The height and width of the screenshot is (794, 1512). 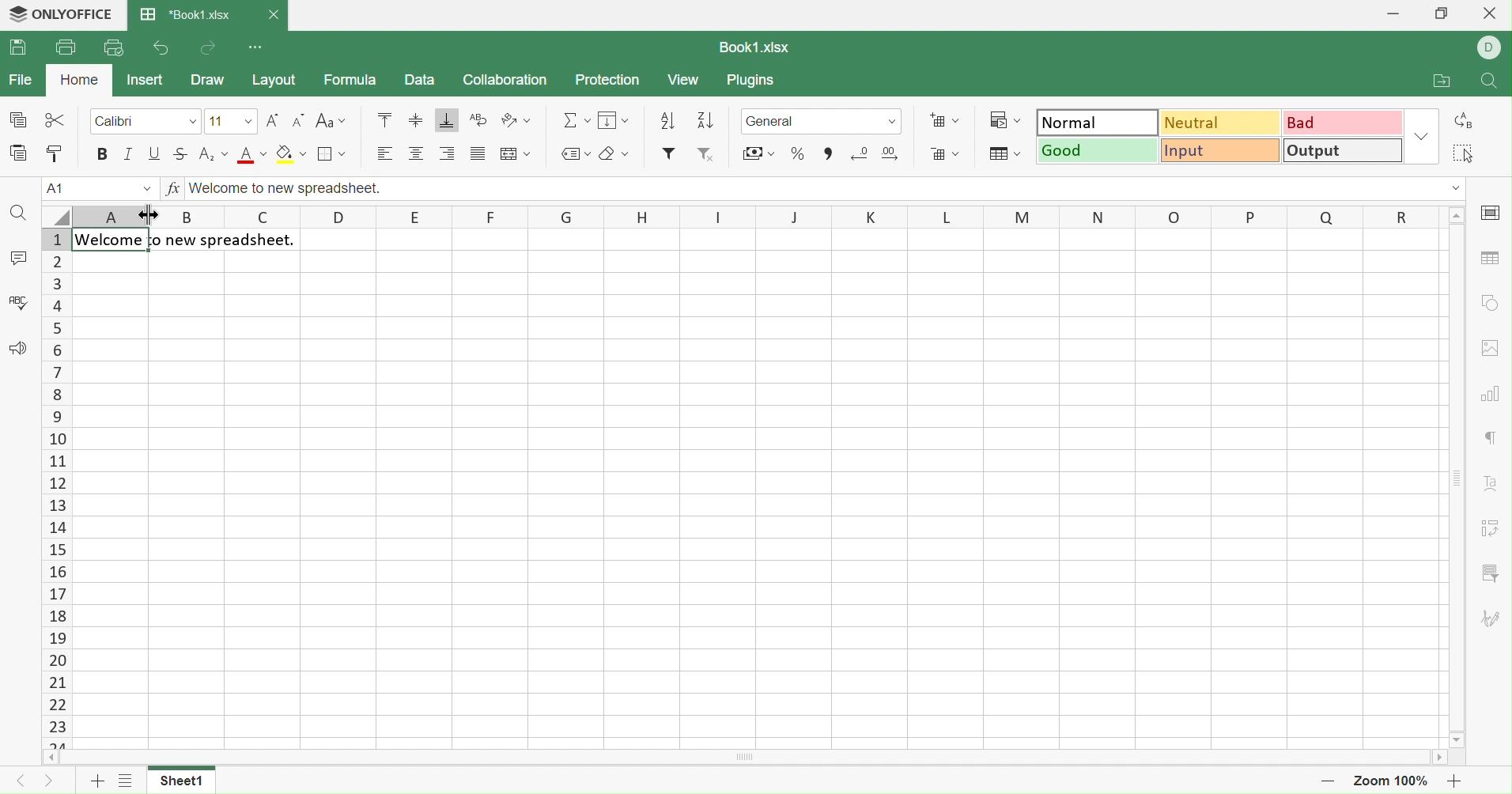 What do you see at coordinates (112, 47) in the screenshot?
I see `Quick Print` at bounding box center [112, 47].